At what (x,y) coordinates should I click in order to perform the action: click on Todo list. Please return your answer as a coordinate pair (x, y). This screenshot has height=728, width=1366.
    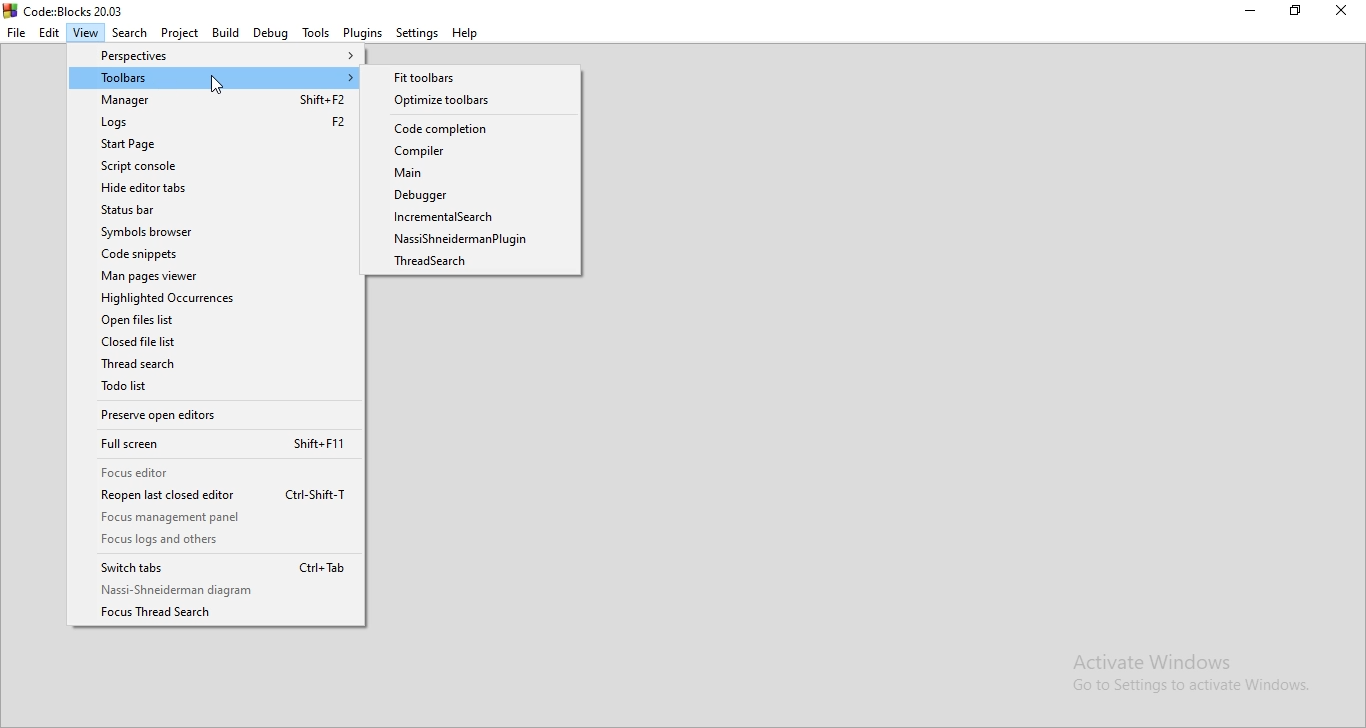
    Looking at the image, I should click on (221, 389).